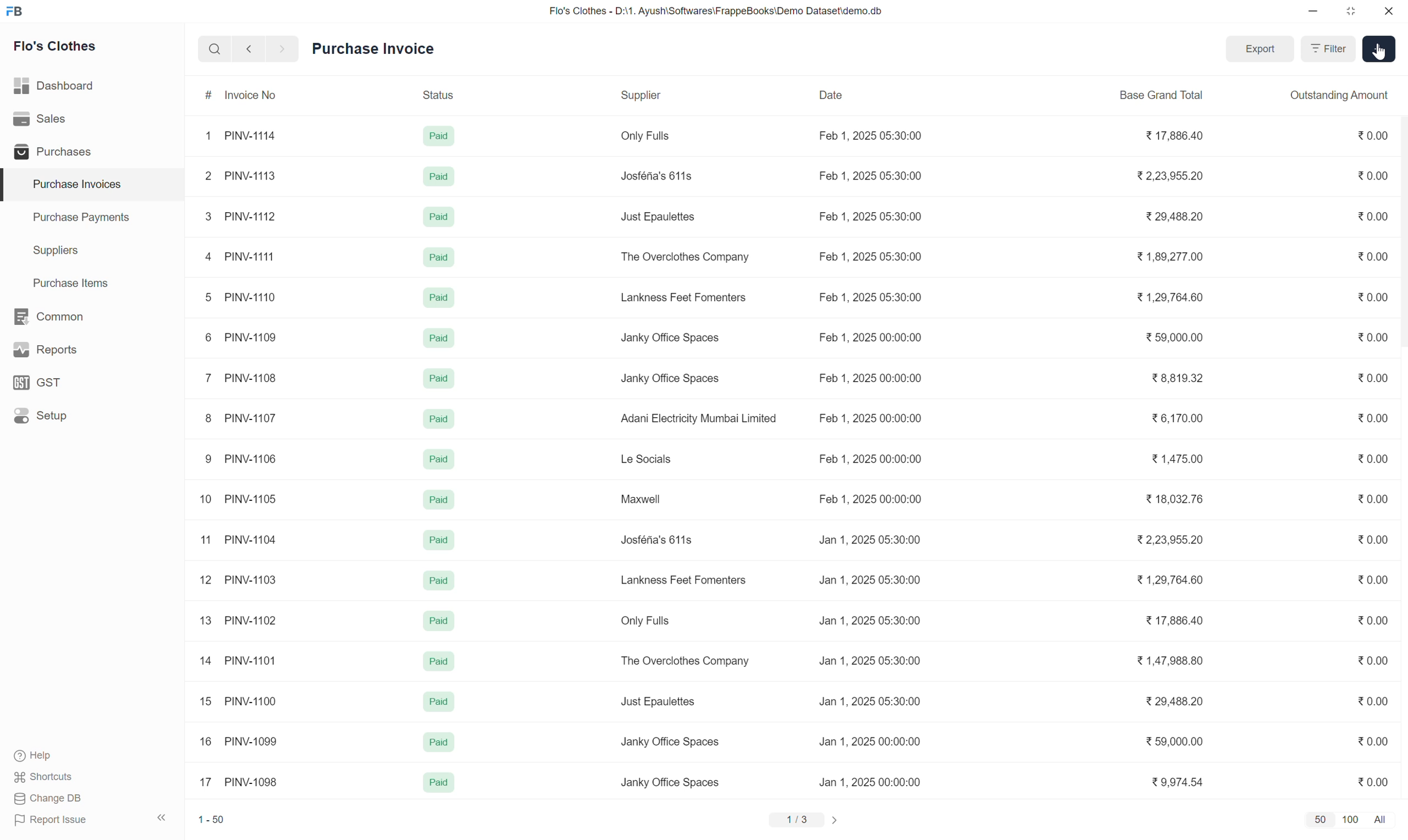 The image size is (1408, 840). What do you see at coordinates (1177, 458) in the screenshot?
I see `1,475.00` at bounding box center [1177, 458].